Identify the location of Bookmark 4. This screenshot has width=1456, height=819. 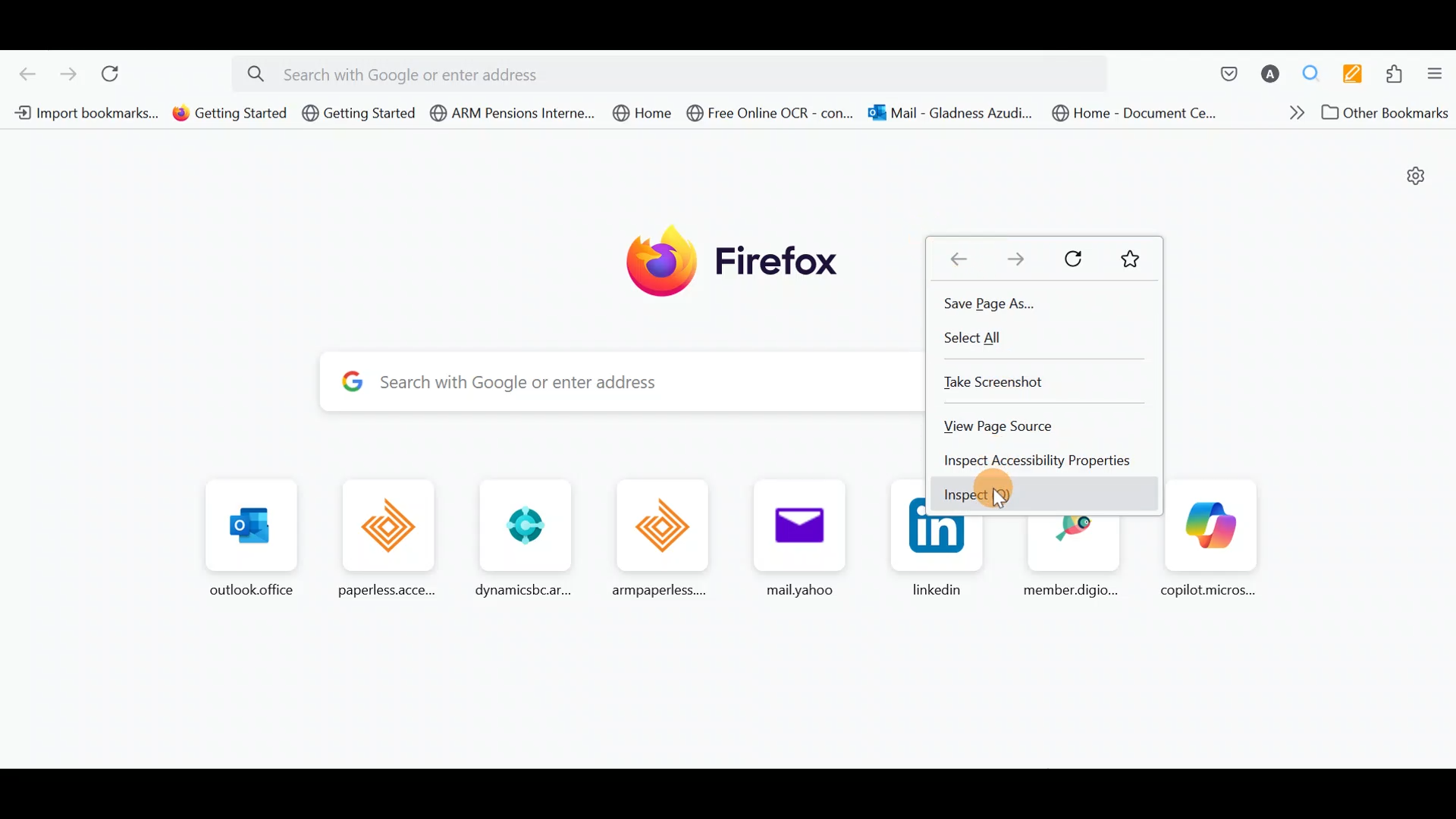
(512, 113).